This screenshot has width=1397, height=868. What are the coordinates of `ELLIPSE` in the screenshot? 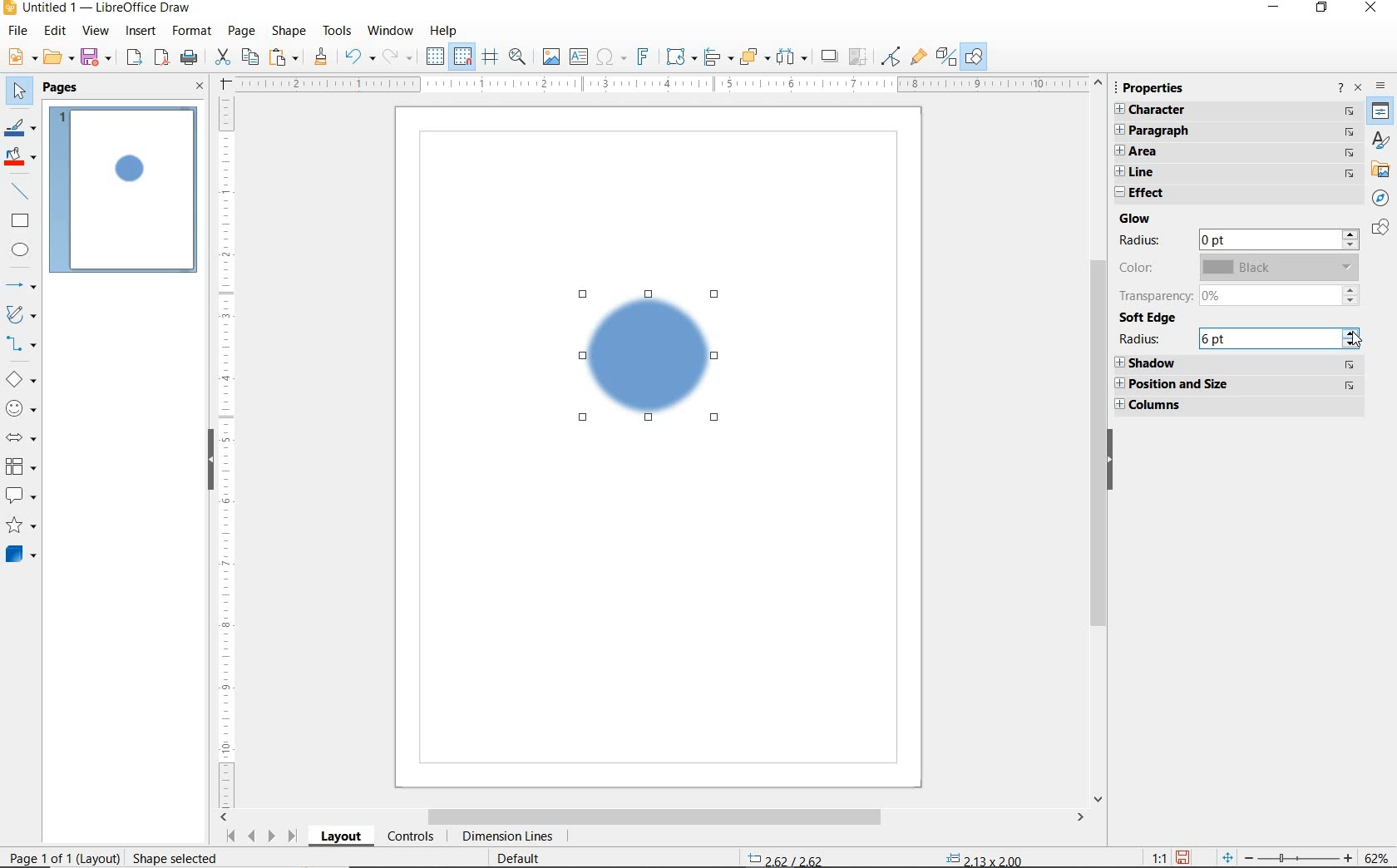 It's located at (22, 252).